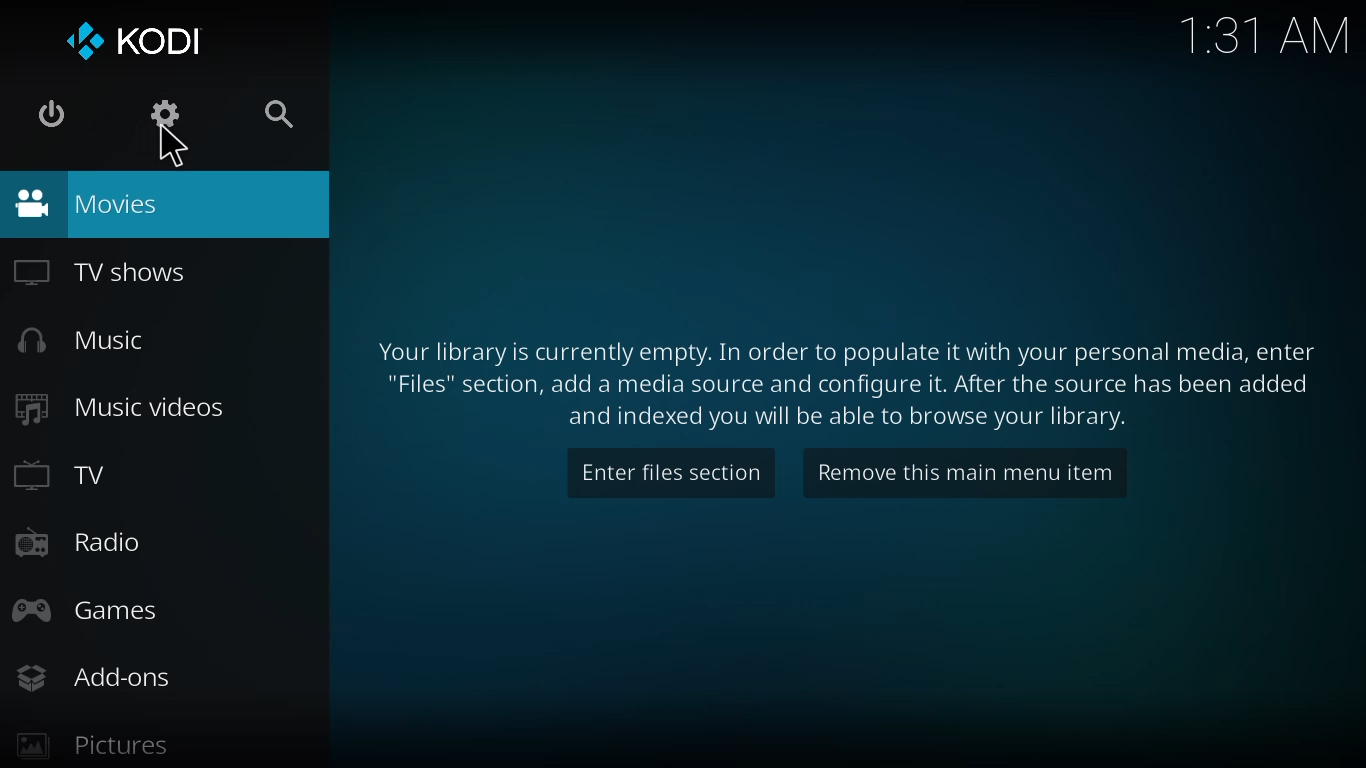 Image resolution: width=1366 pixels, height=768 pixels. Describe the element at coordinates (63, 477) in the screenshot. I see `tv` at that location.